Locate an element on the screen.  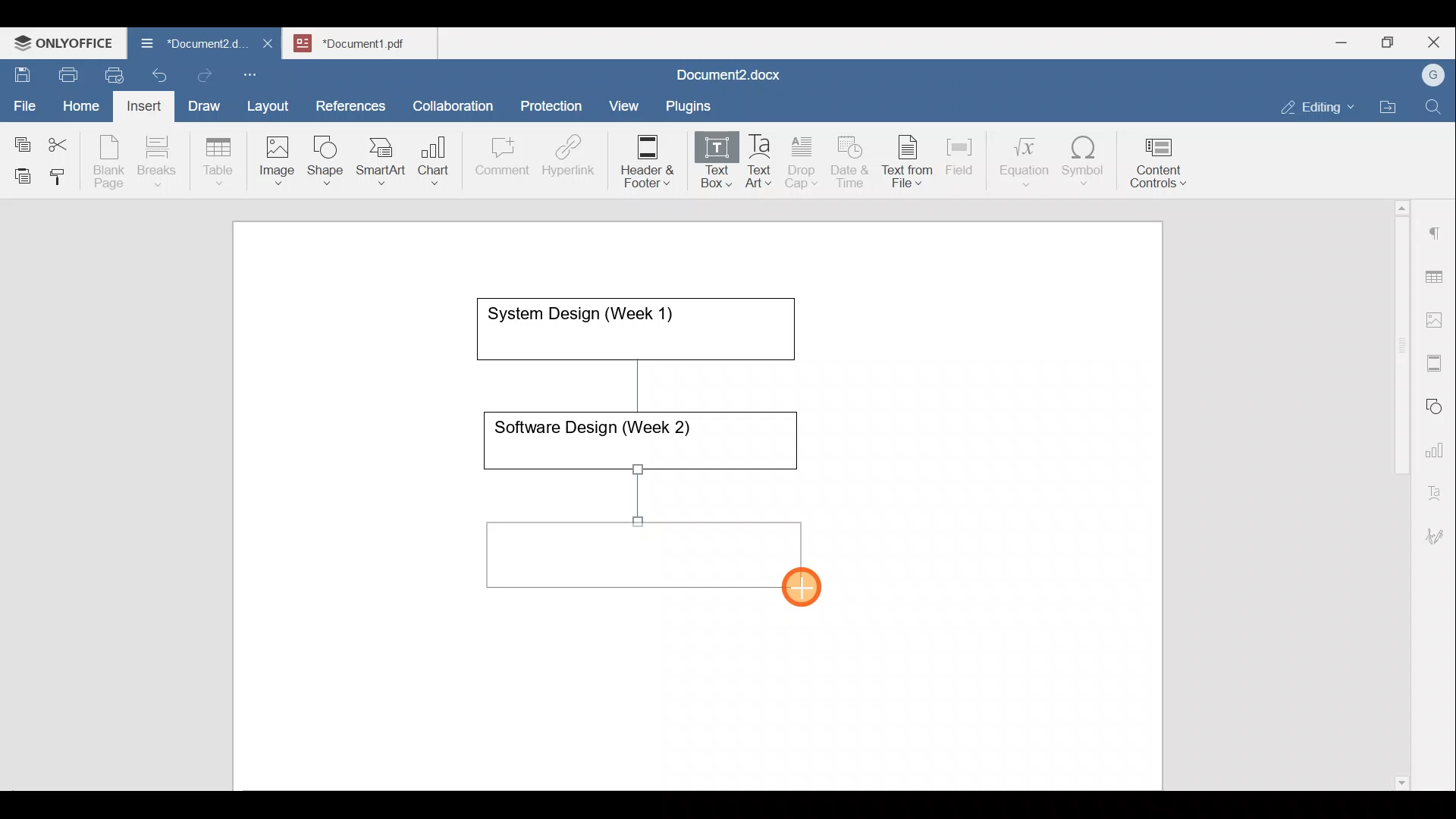
References is located at coordinates (350, 104).